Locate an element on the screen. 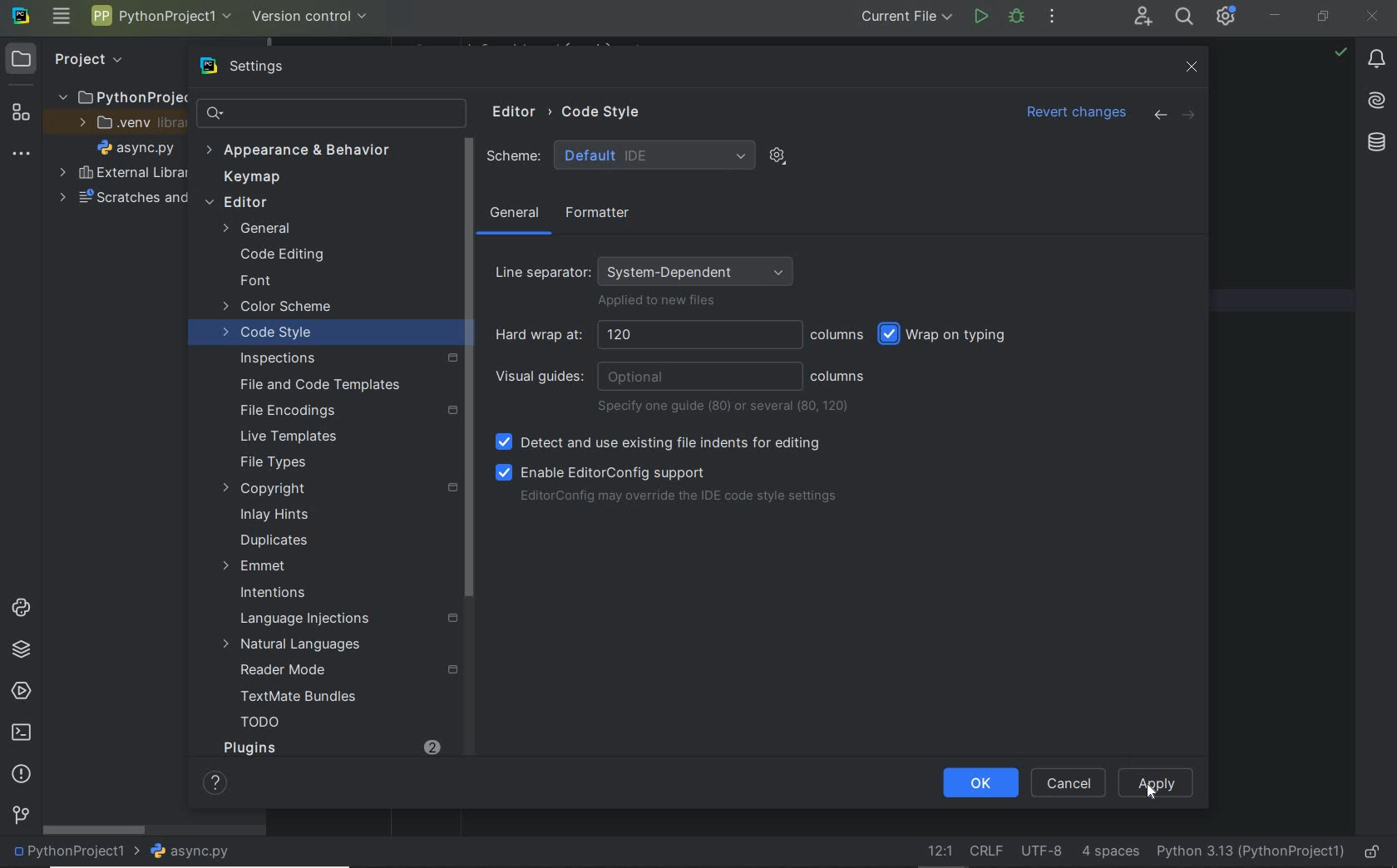  General is located at coordinates (298, 229).